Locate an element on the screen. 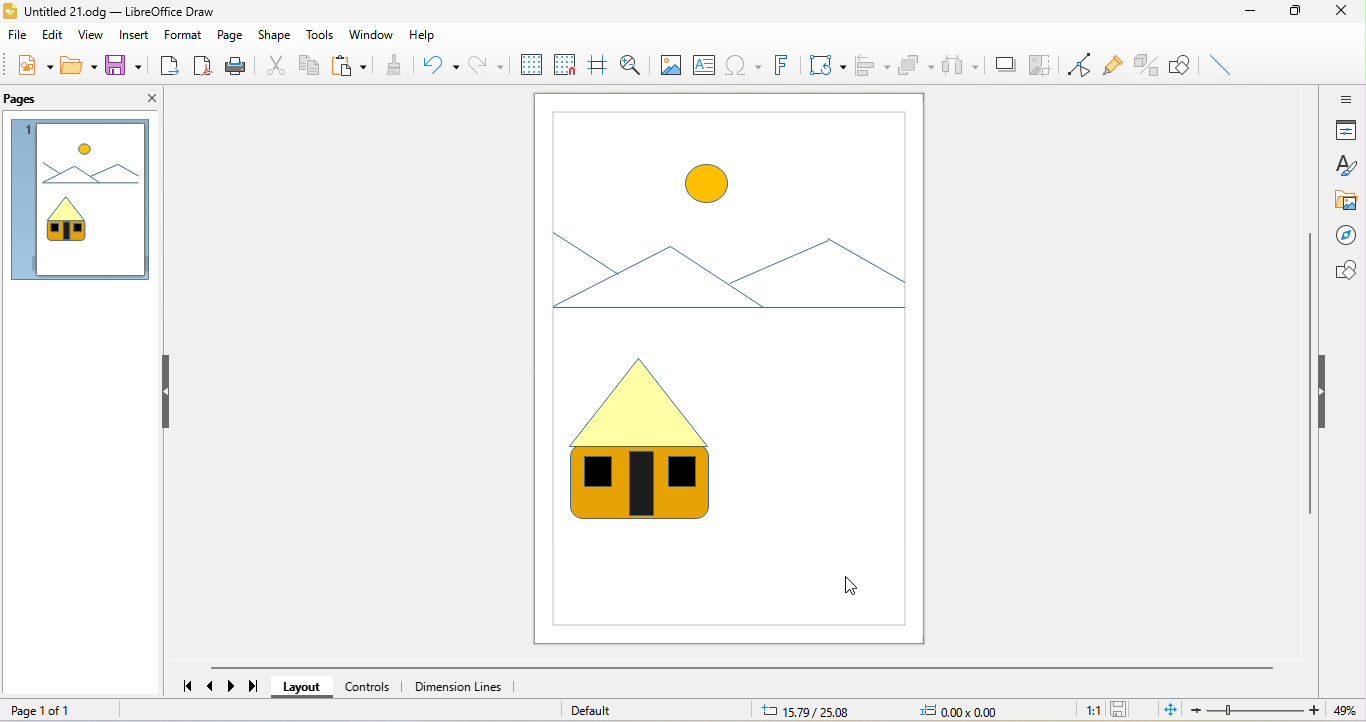 The width and height of the screenshot is (1366, 722). redo is located at coordinates (487, 65).